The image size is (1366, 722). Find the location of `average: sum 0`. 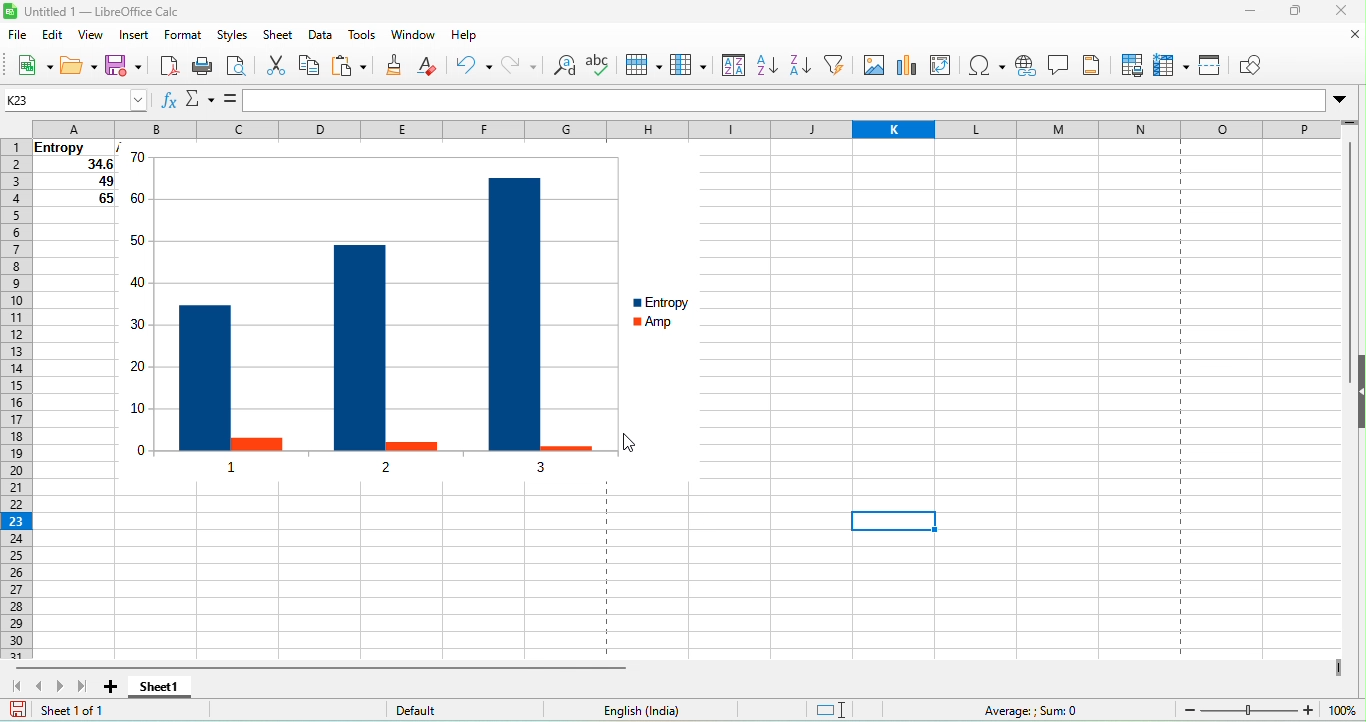

average: sum 0 is located at coordinates (1035, 711).